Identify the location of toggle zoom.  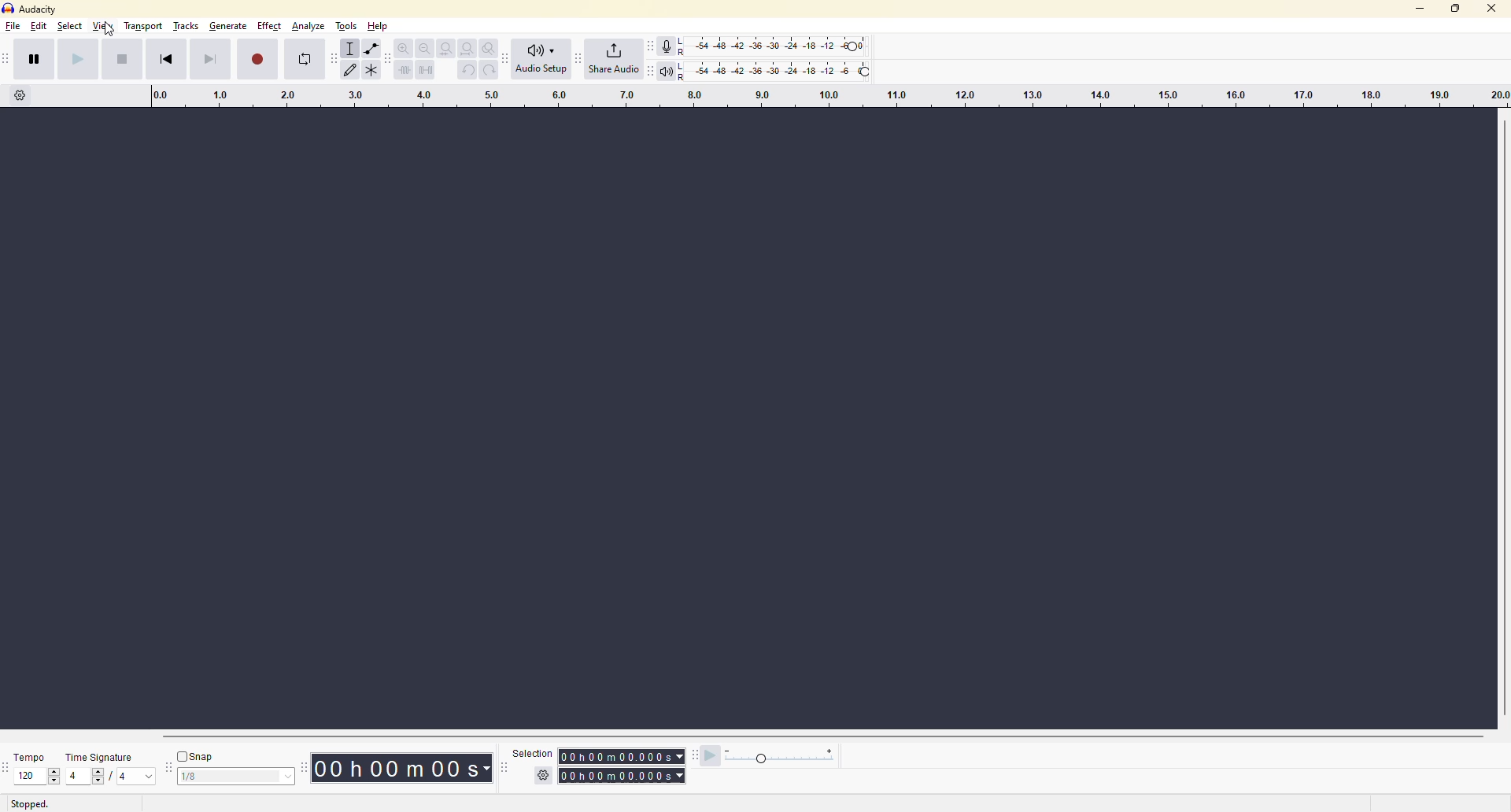
(488, 46).